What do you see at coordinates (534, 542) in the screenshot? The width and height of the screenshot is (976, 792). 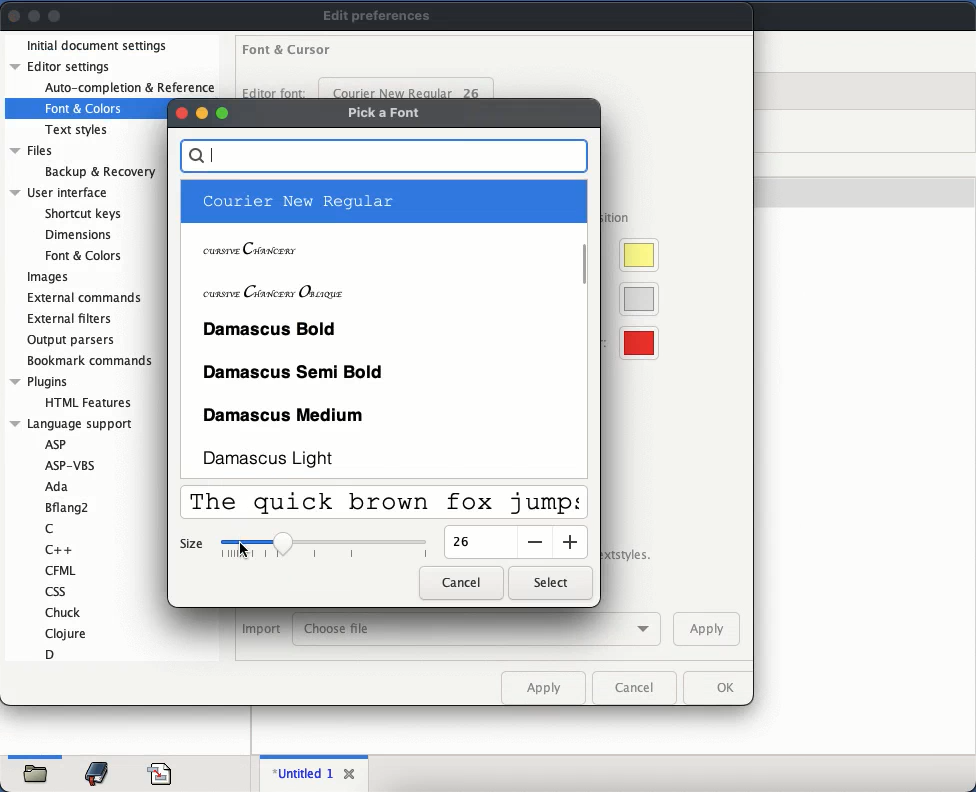 I see `decrease` at bounding box center [534, 542].